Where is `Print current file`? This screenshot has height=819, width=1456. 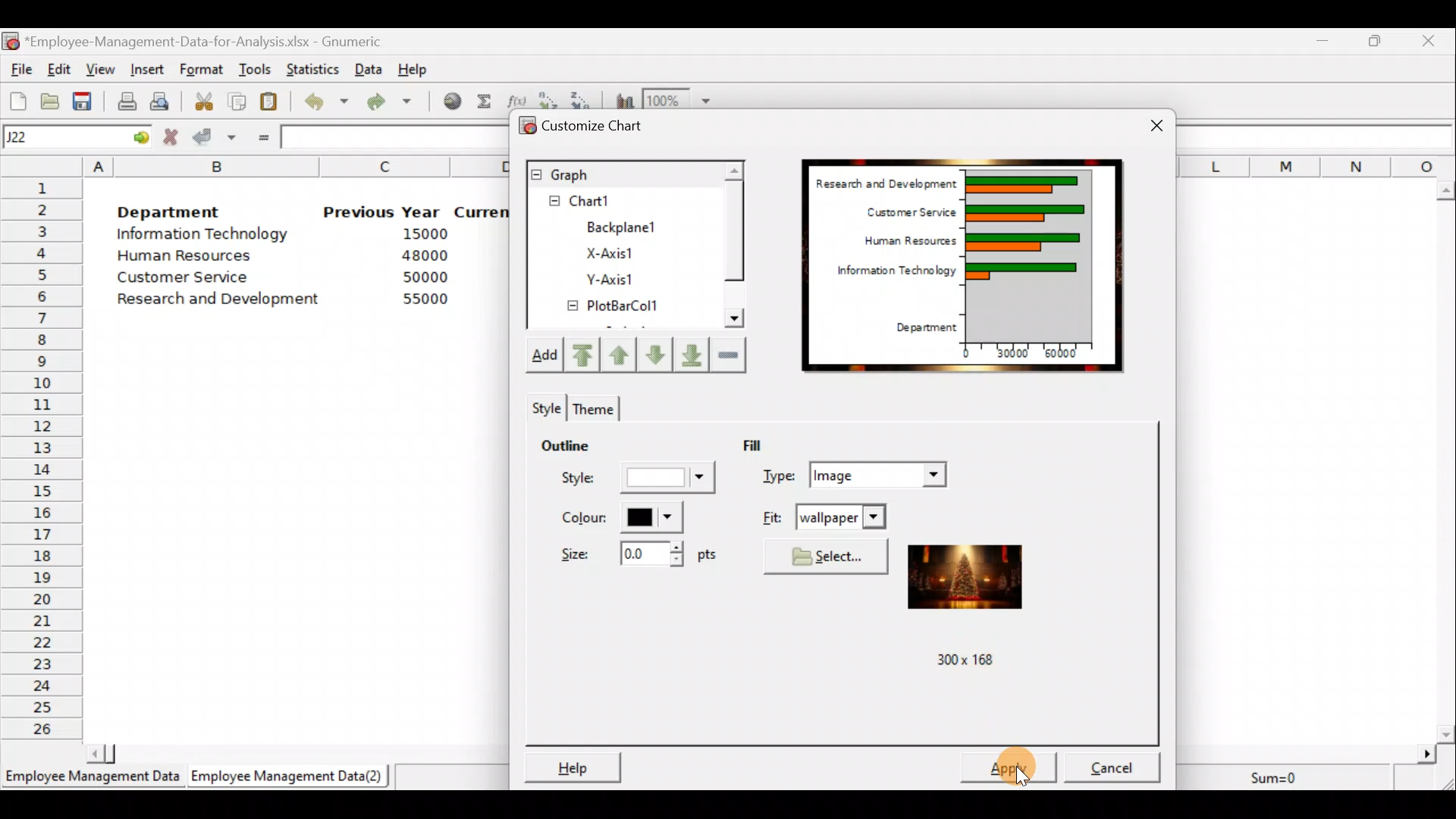
Print current file is located at coordinates (124, 99).